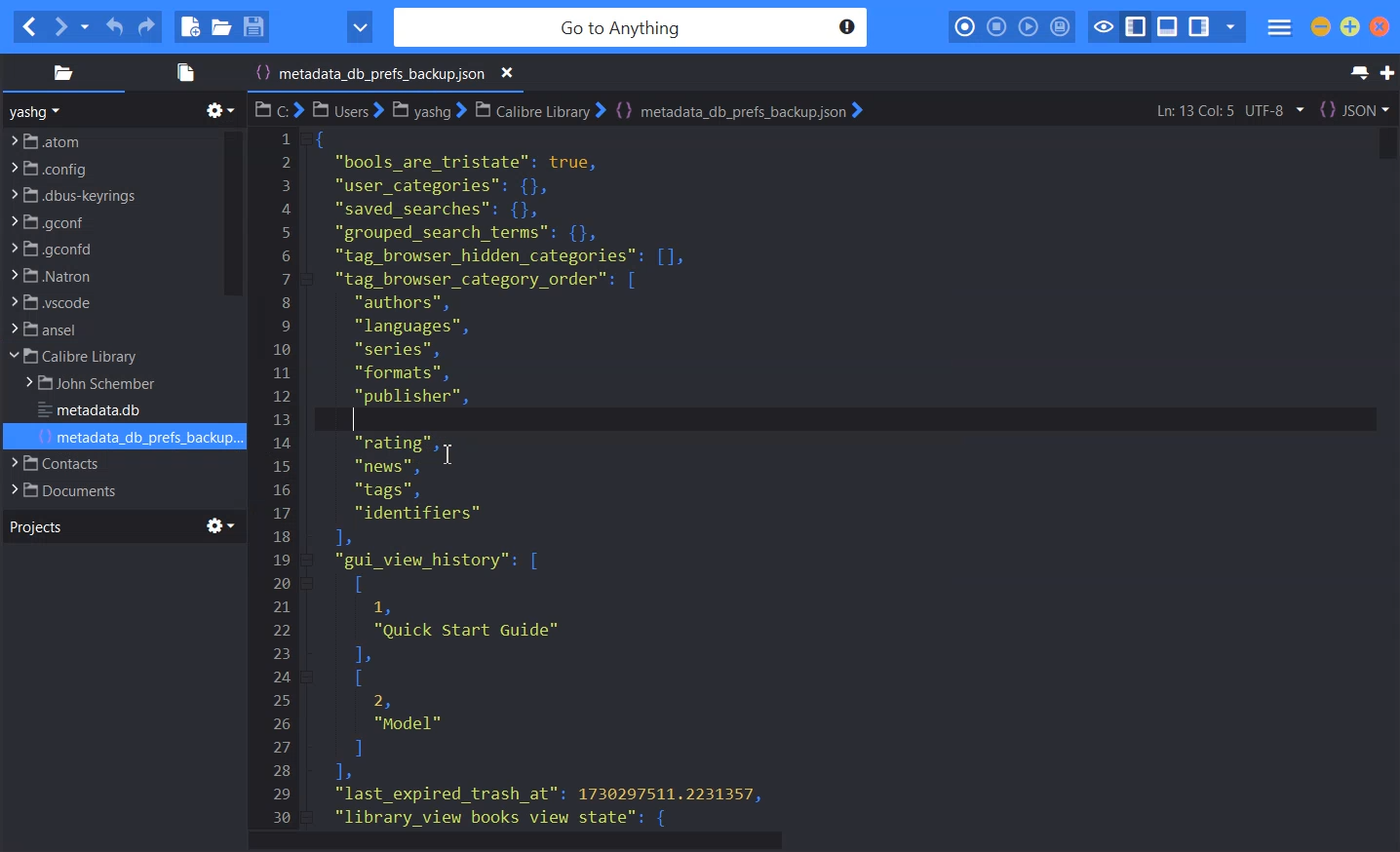  What do you see at coordinates (182, 72) in the screenshot?
I see `Open files` at bounding box center [182, 72].